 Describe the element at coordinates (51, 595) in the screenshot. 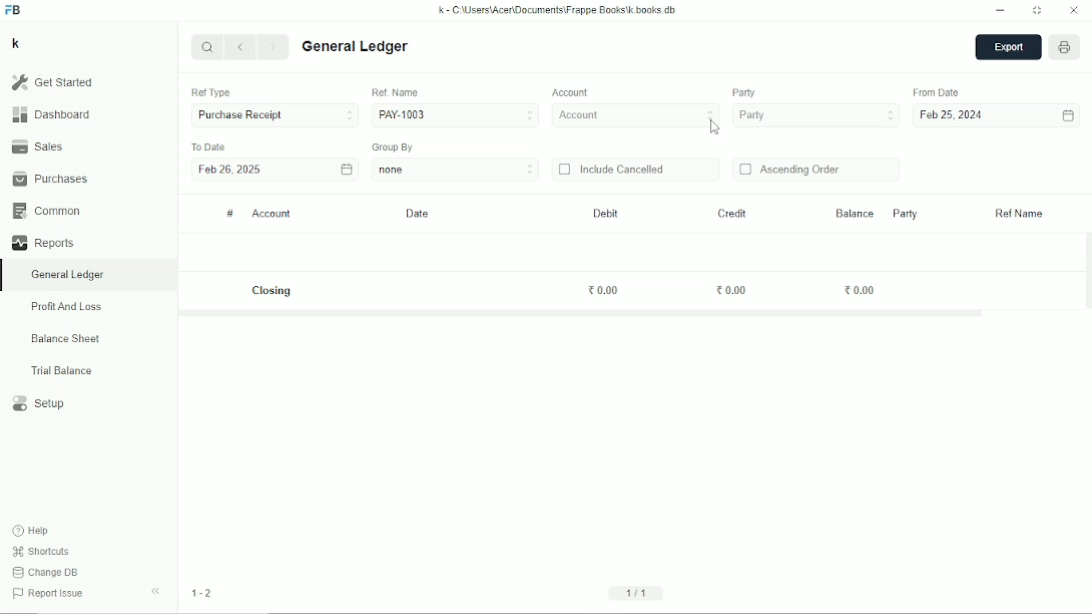

I see `Report issue` at that location.